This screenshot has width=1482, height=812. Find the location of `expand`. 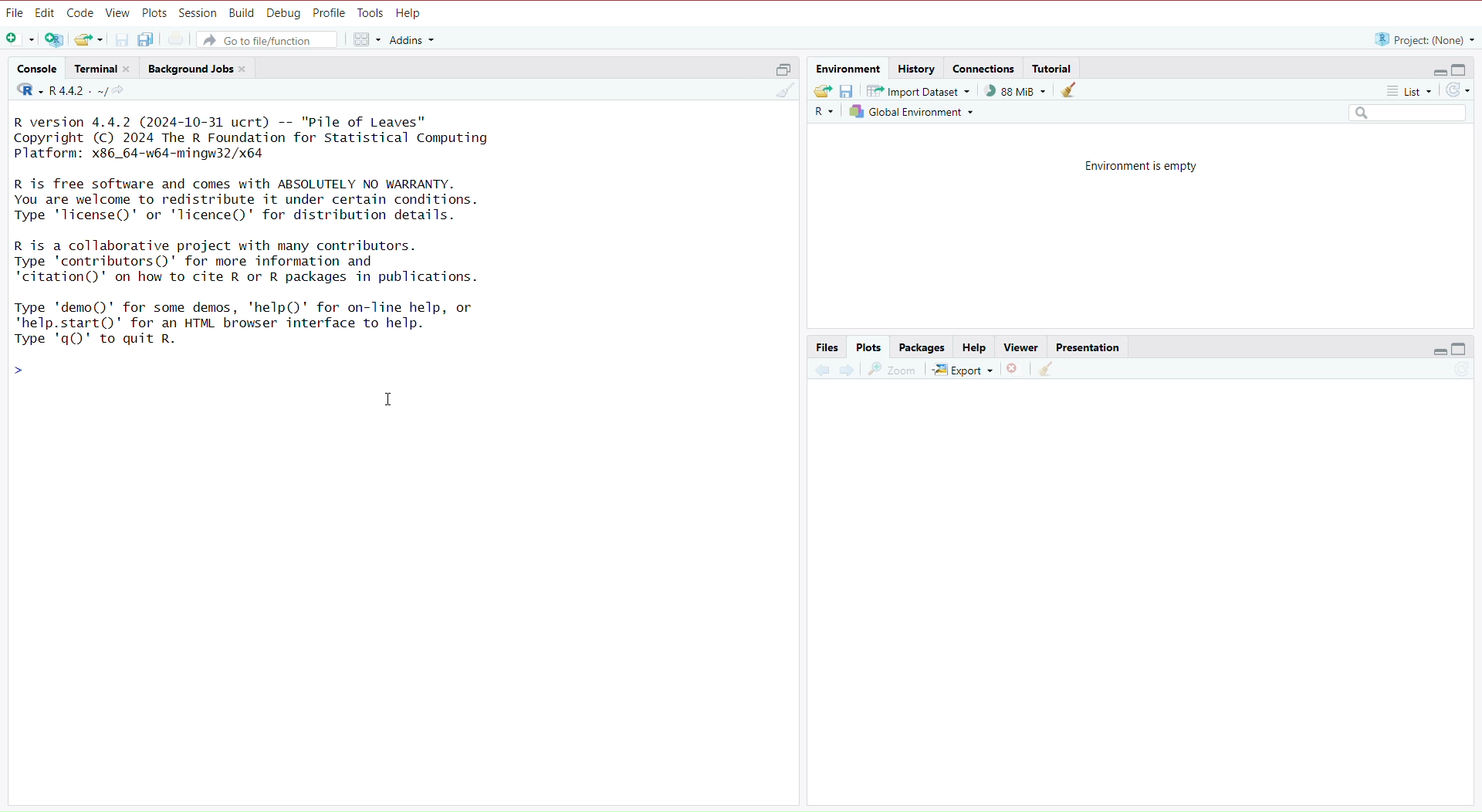

expand is located at coordinates (1435, 71).